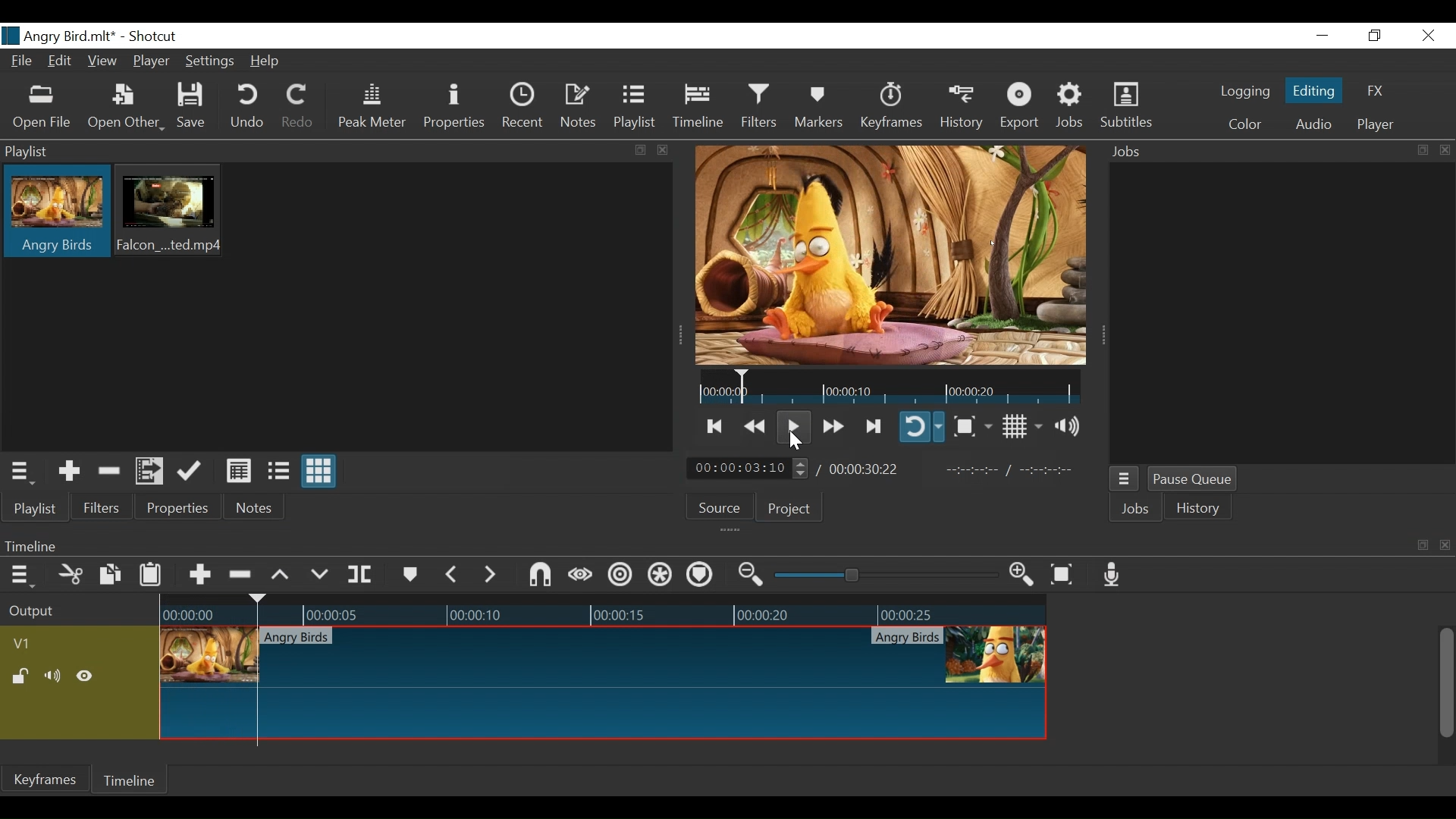 The height and width of the screenshot is (819, 1456). I want to click on Editing, so click(1314, 93).